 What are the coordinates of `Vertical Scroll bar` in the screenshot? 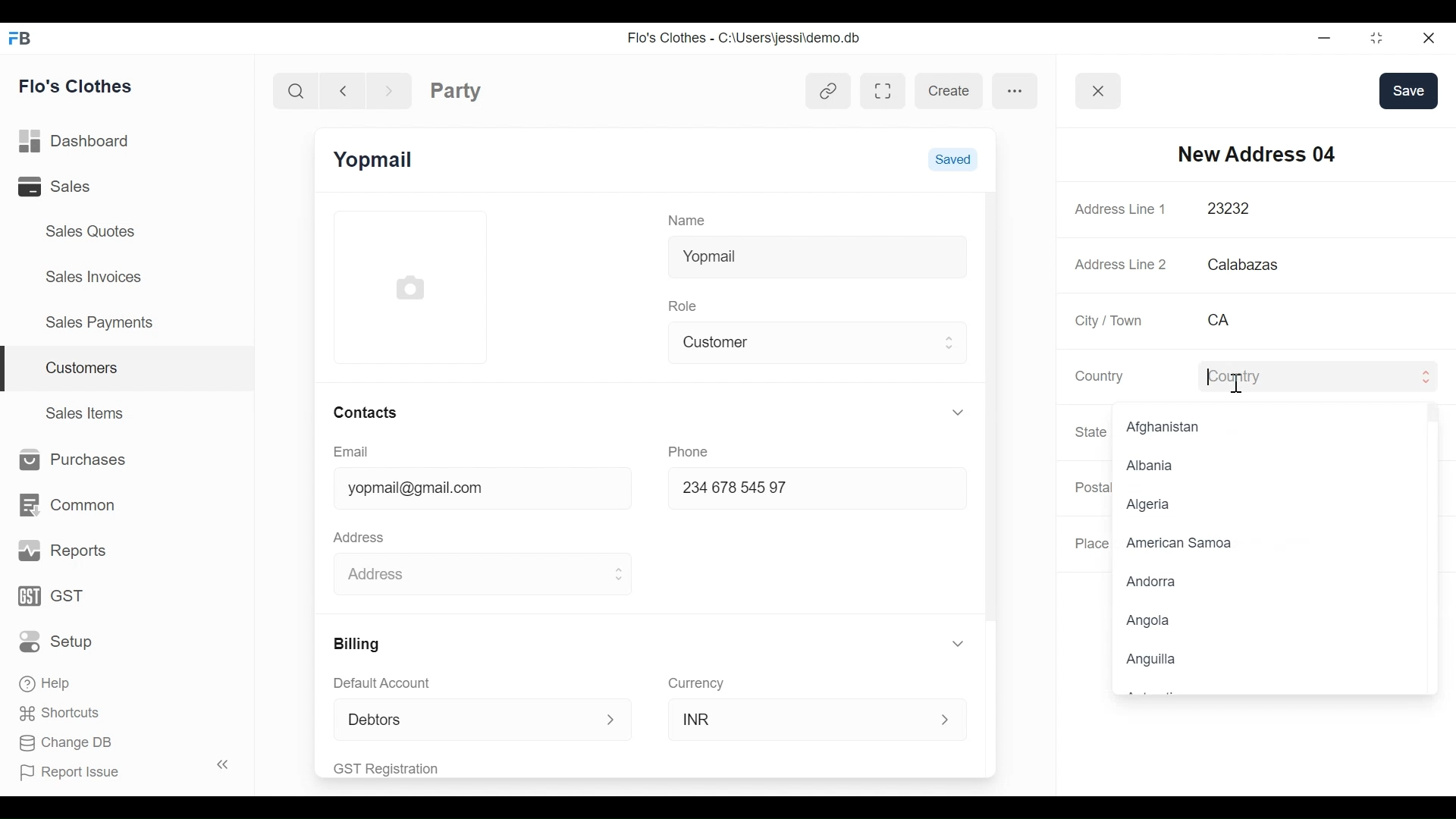 It's located at (990, 407).